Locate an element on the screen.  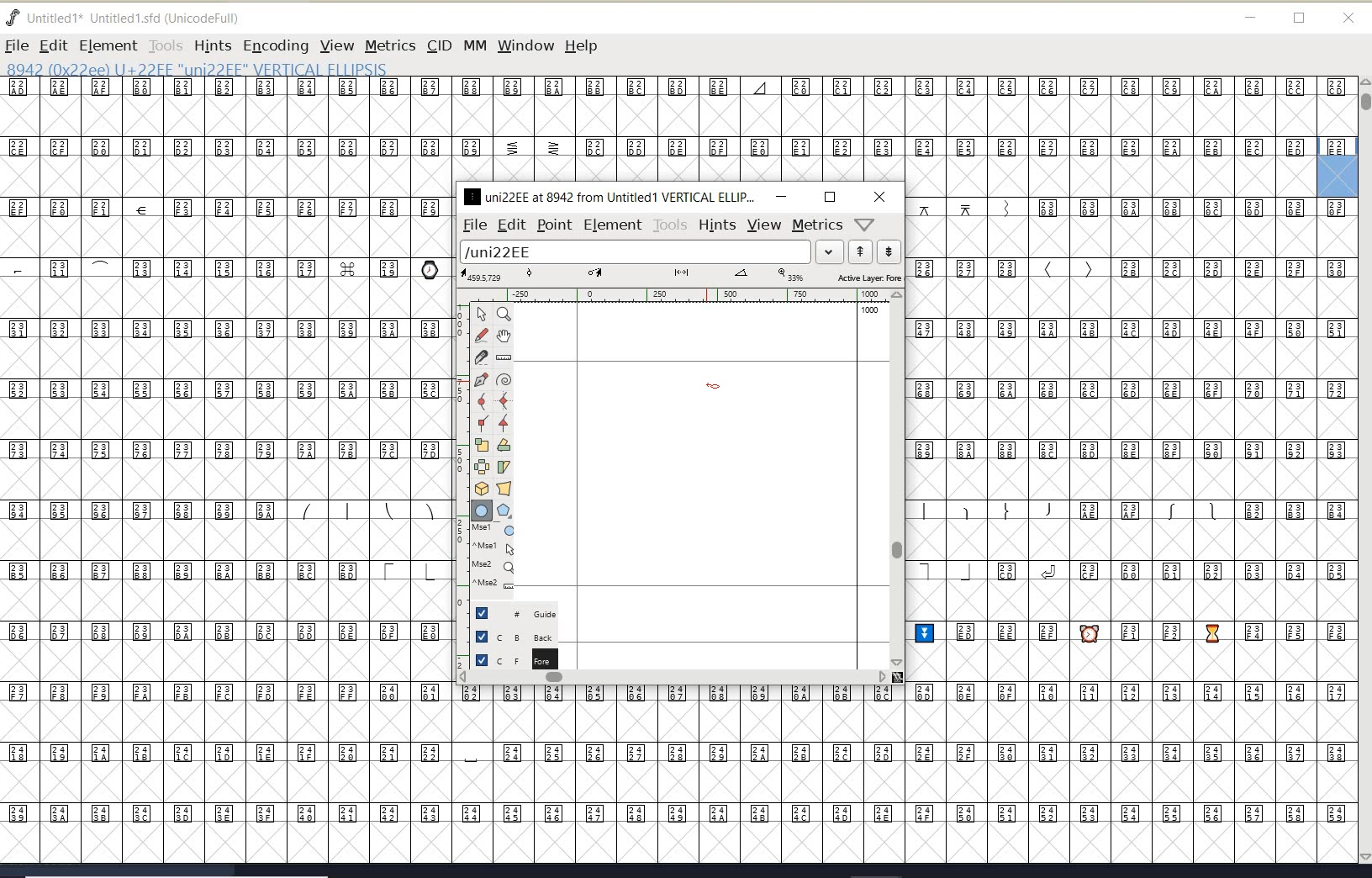
point is located at coordinates (553, 225).